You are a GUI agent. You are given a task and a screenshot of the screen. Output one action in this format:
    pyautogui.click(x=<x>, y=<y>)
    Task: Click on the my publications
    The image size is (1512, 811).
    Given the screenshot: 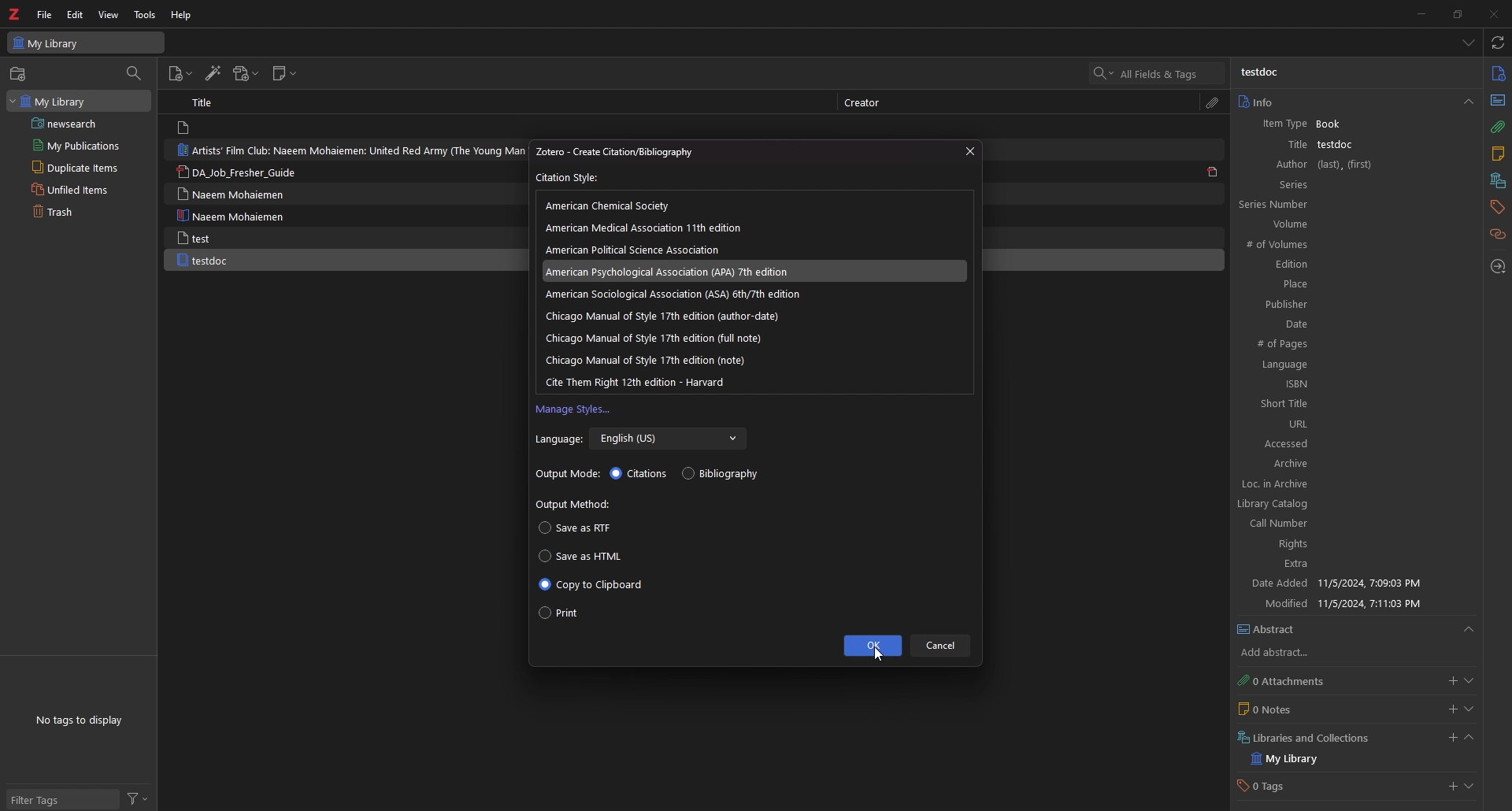 What is the action you would take?
    pyautogui.click(x=77, y=145)
    